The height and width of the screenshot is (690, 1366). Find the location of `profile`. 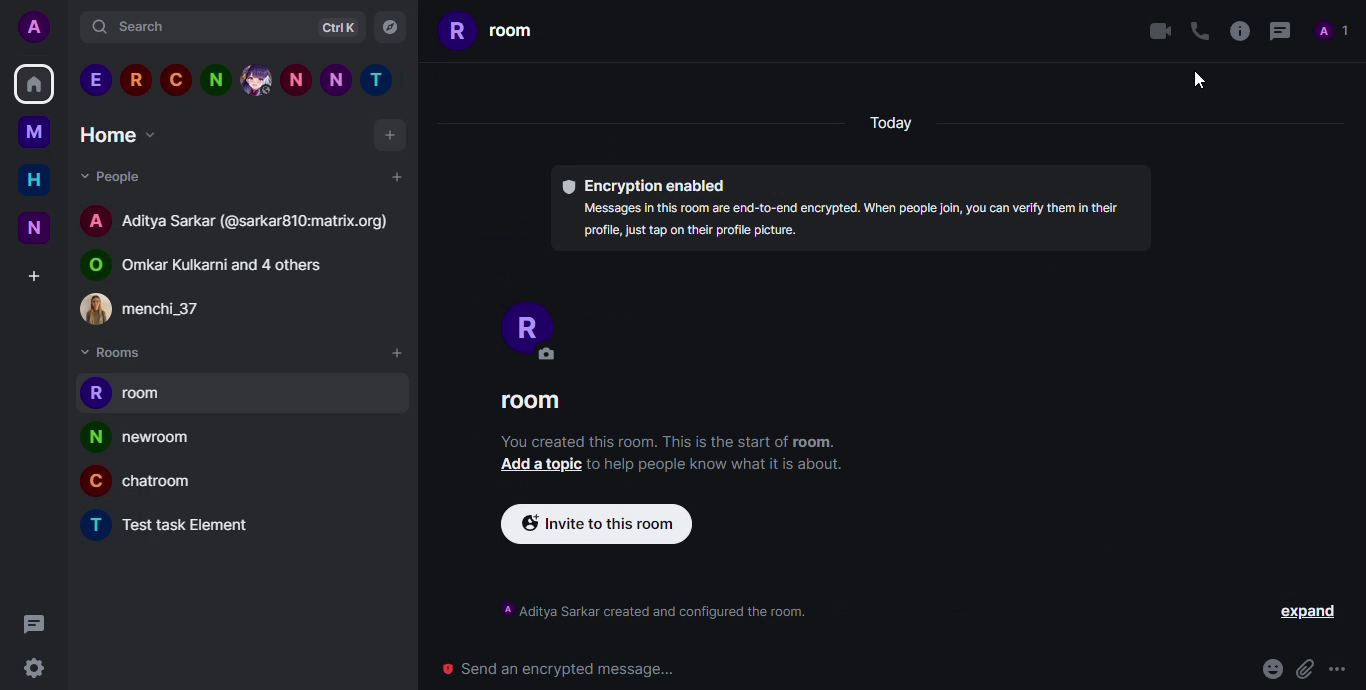

profile is located at coordinates (94, 437).